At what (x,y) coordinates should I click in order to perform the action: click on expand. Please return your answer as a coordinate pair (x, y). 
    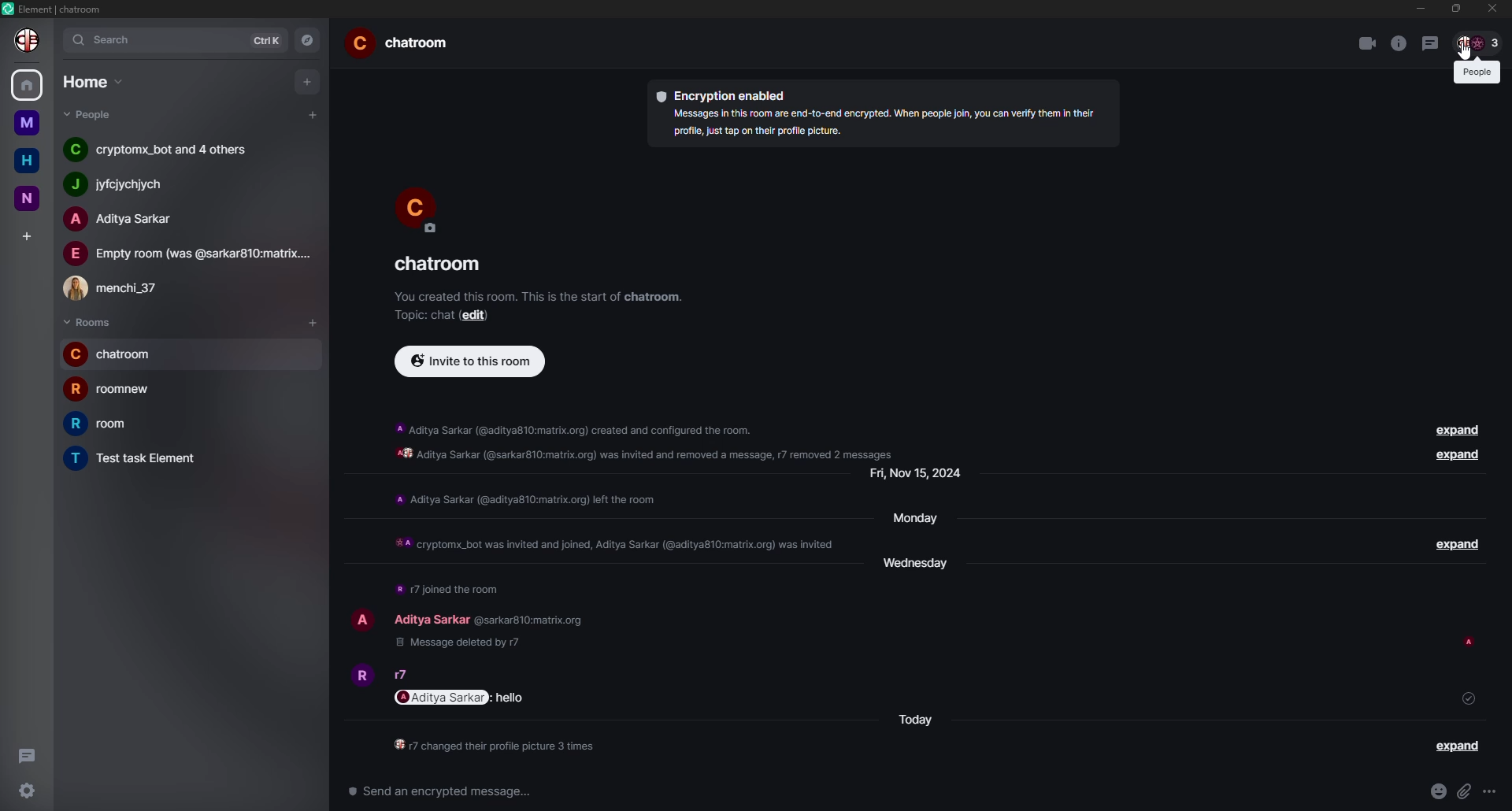
    Looking at the image, I should click on (1460, 455).